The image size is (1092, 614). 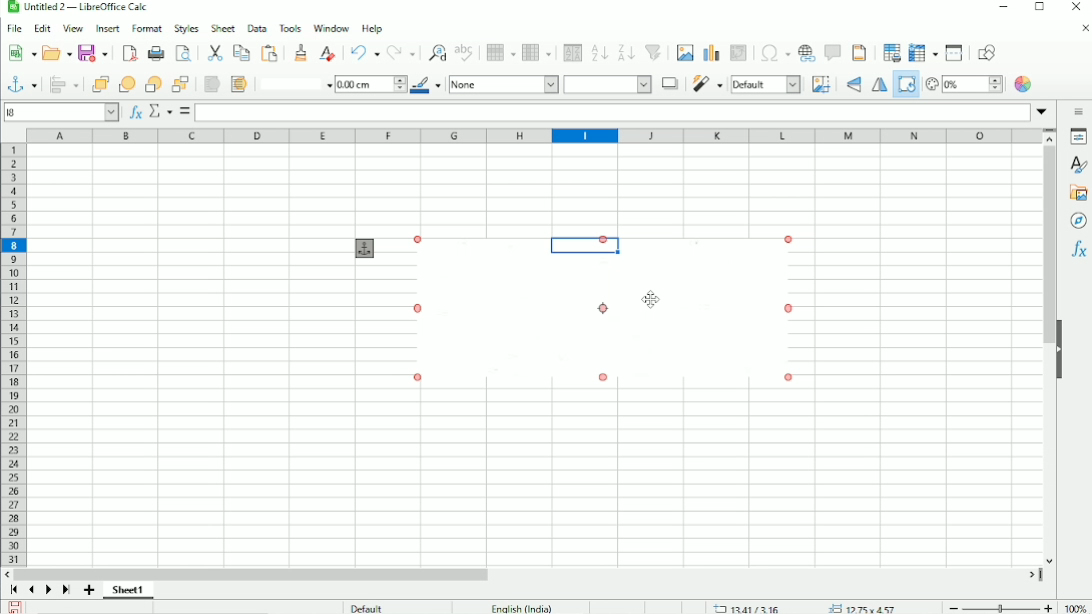 What do you see at coordinates (135, 112) in the screenshot?
I see `Function wizard` at bounding box center [135, 112].